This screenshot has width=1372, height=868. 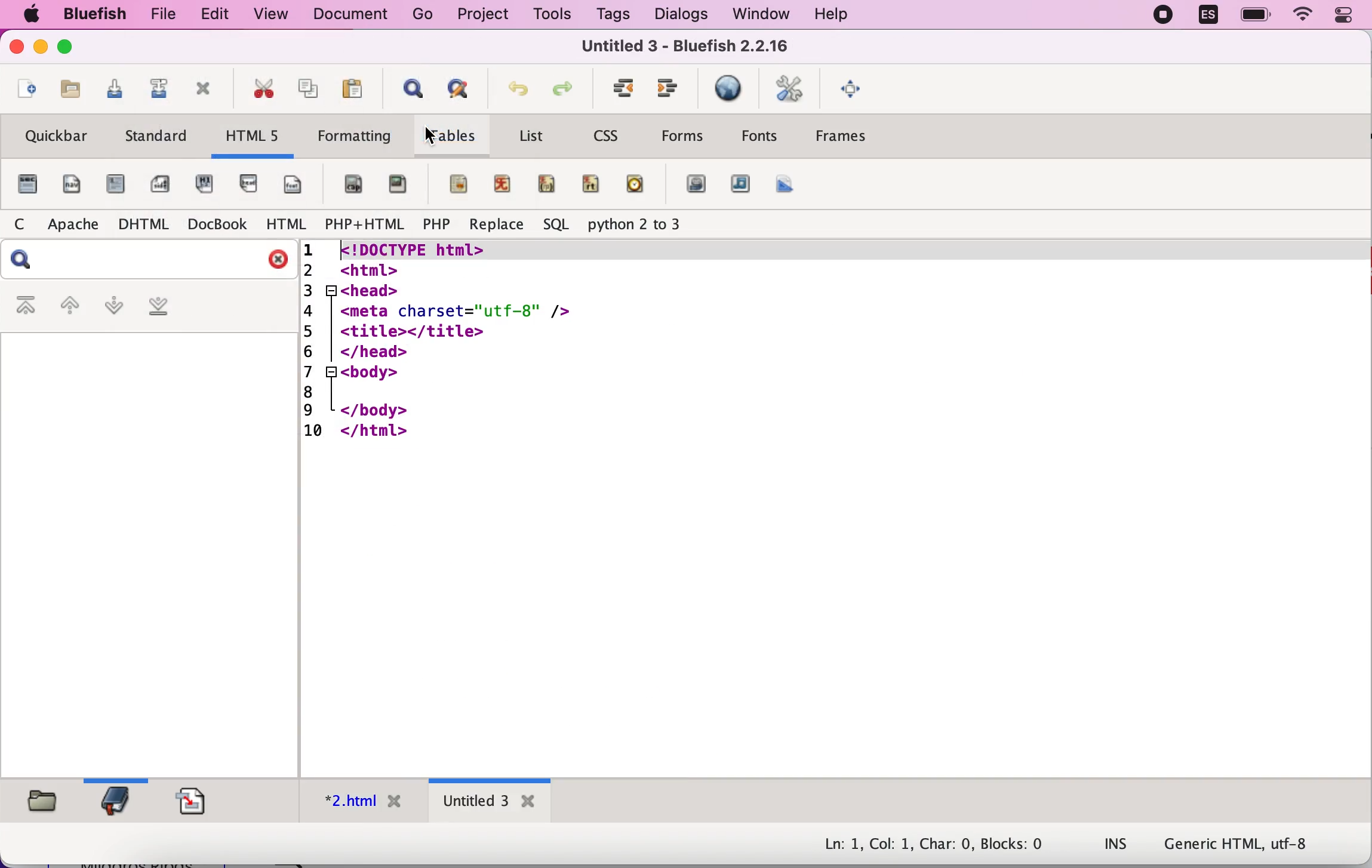 What do you see at coordinates (193, 798) in the screenshot?
I see `snippets` at bounding box center [193, 798].